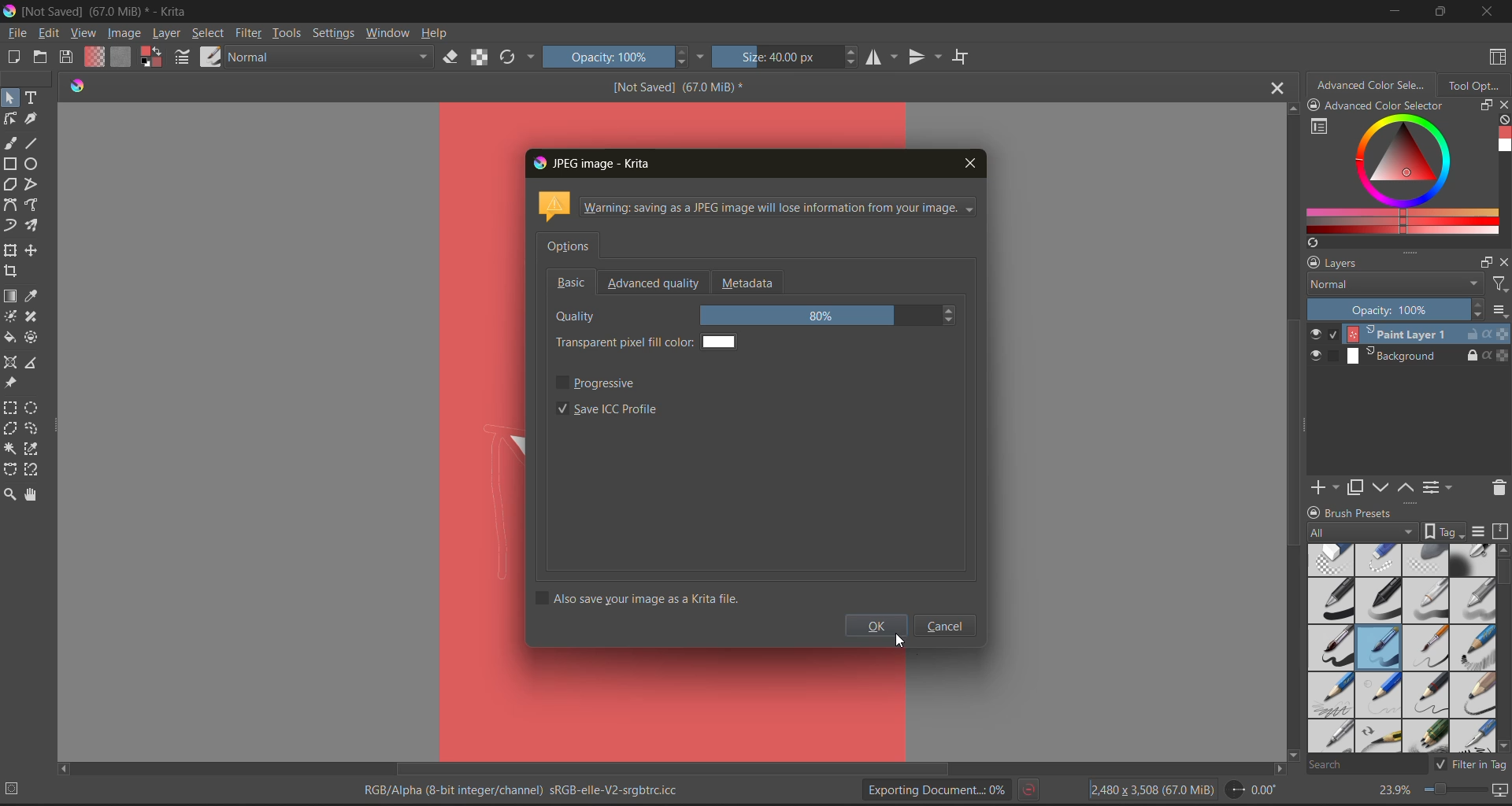  What do you see at coordinates (35, 364) in the screenshot?
I see `tools` at bounding box center [35, 364].